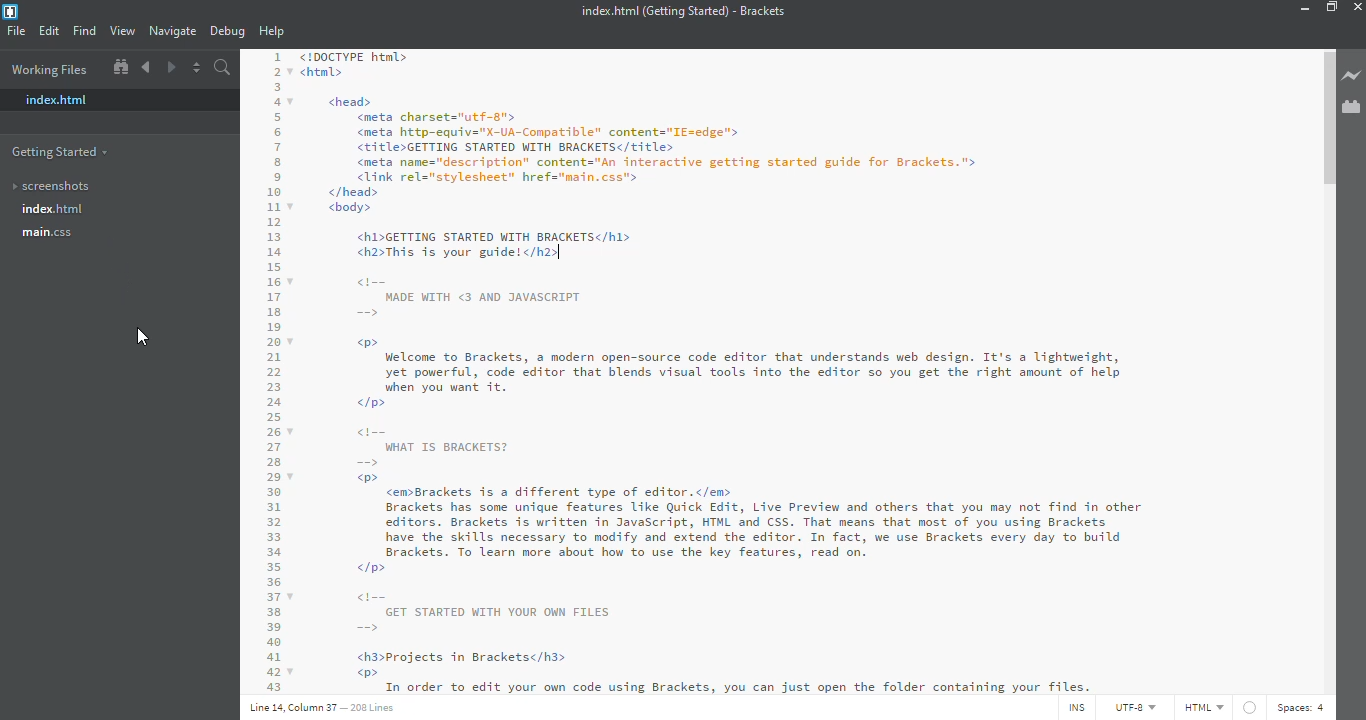 The image size is (1366, 720). Describe the element at coordinates (123, 31) in the screenshot. I see `view` at that location.